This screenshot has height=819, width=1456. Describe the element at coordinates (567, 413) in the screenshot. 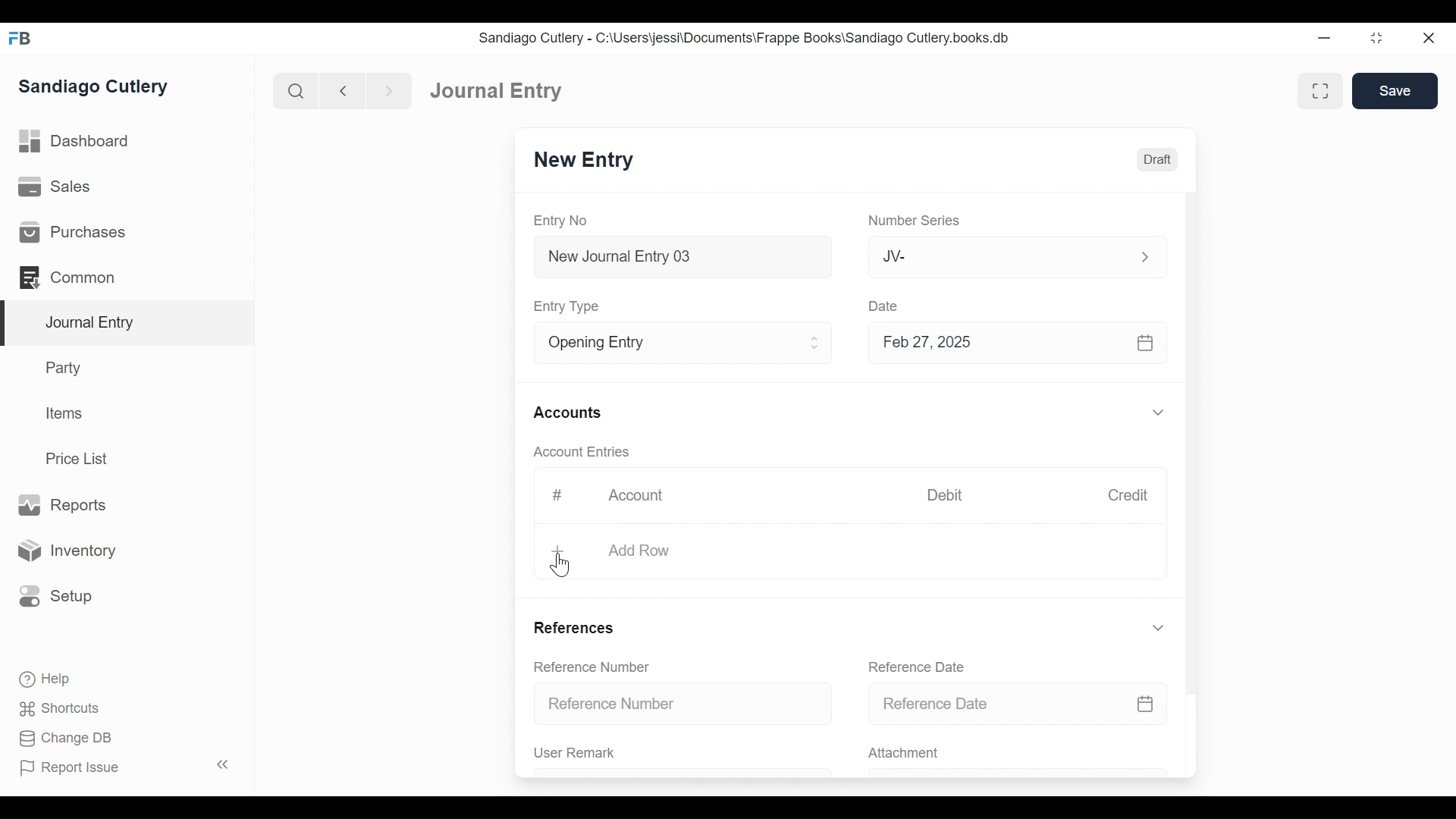

I see `Accounts` at that location.